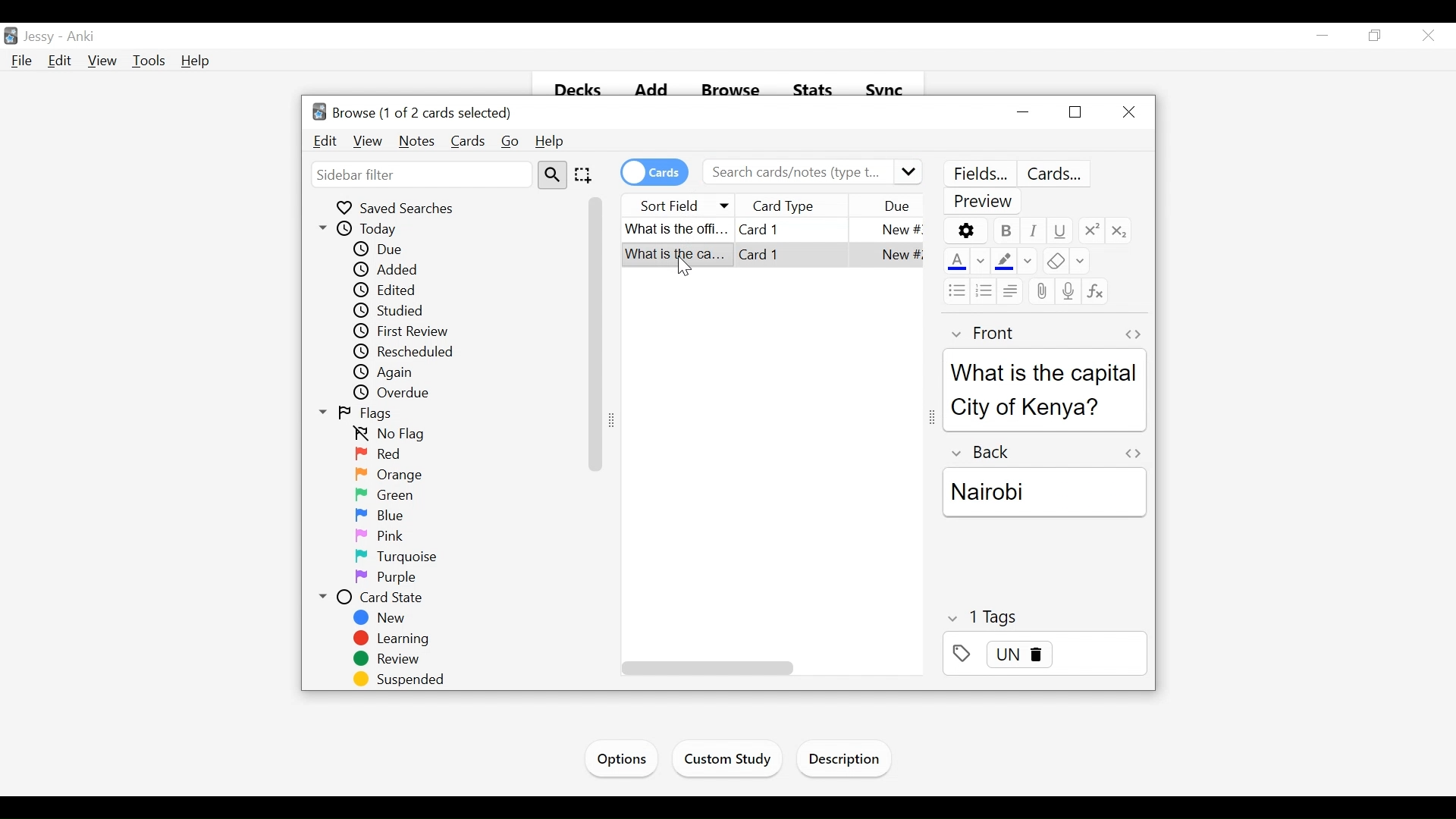 Image resolution: width=1456 pixels, height=819 pixels. Describe the element at coordinates (979, 174) in the screenshot. I see `Customize Fiel` at that location.